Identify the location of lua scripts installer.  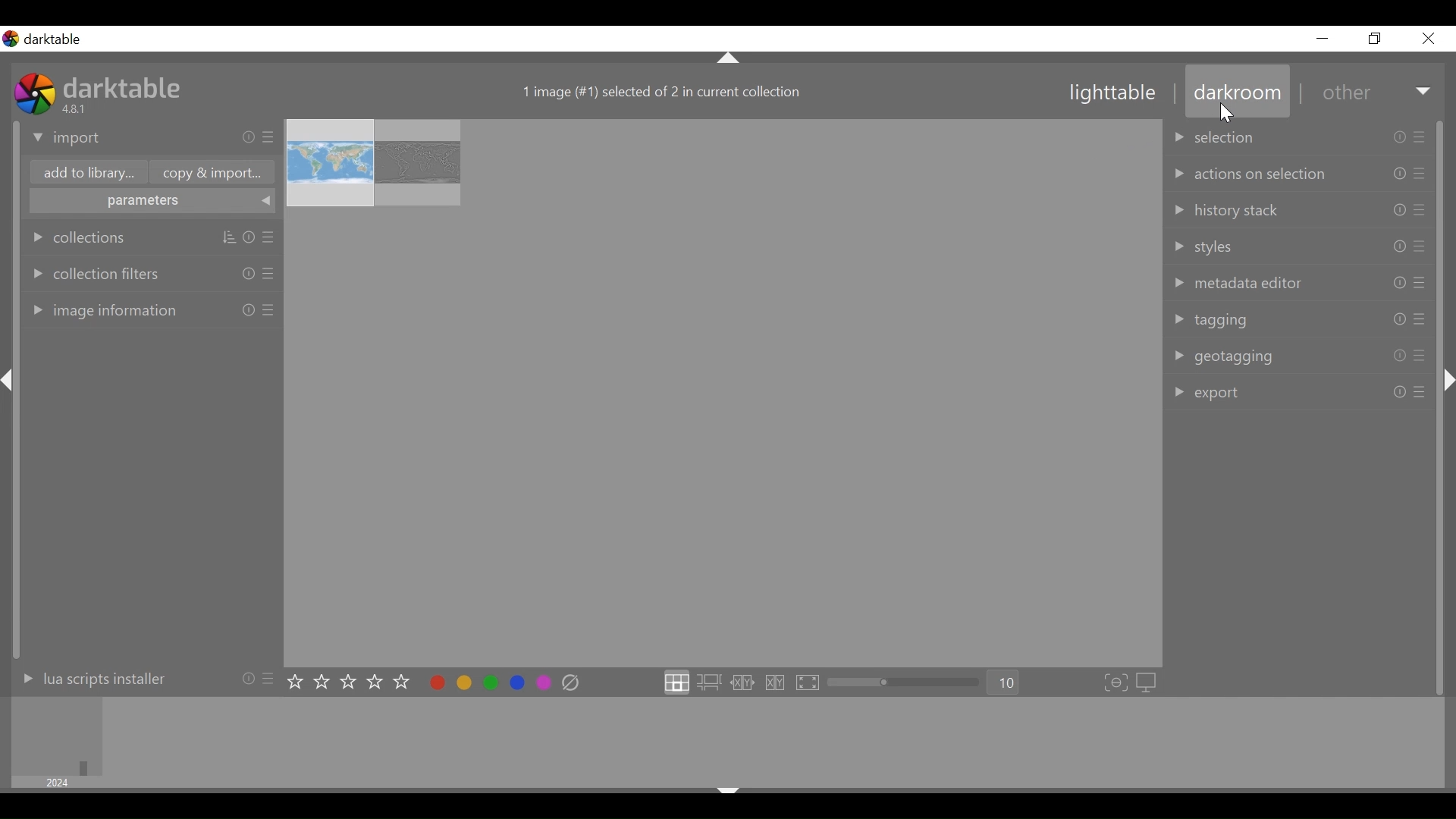
(139, 682).